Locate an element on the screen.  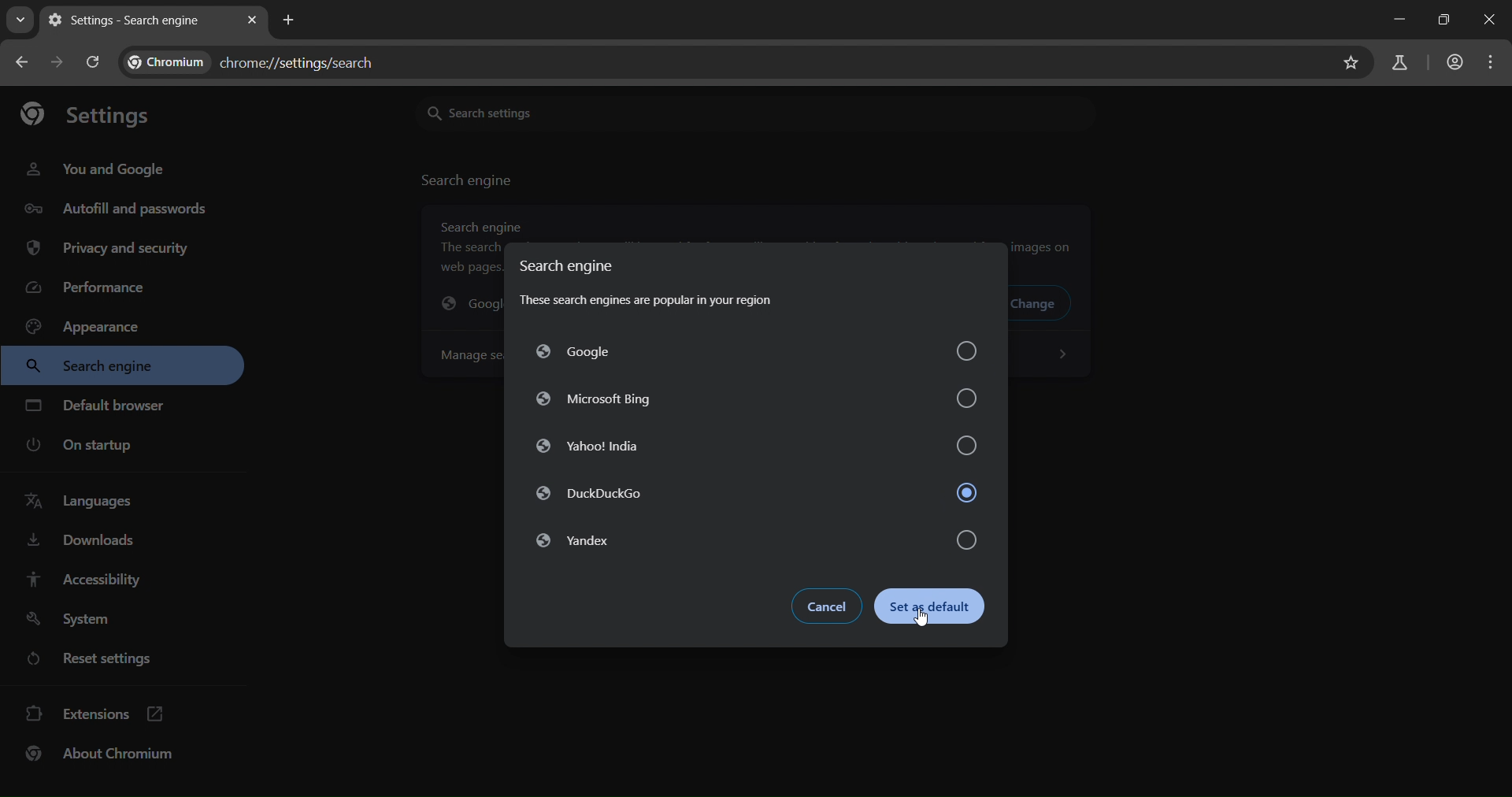
search tabs is located at coordinates (20, 23).